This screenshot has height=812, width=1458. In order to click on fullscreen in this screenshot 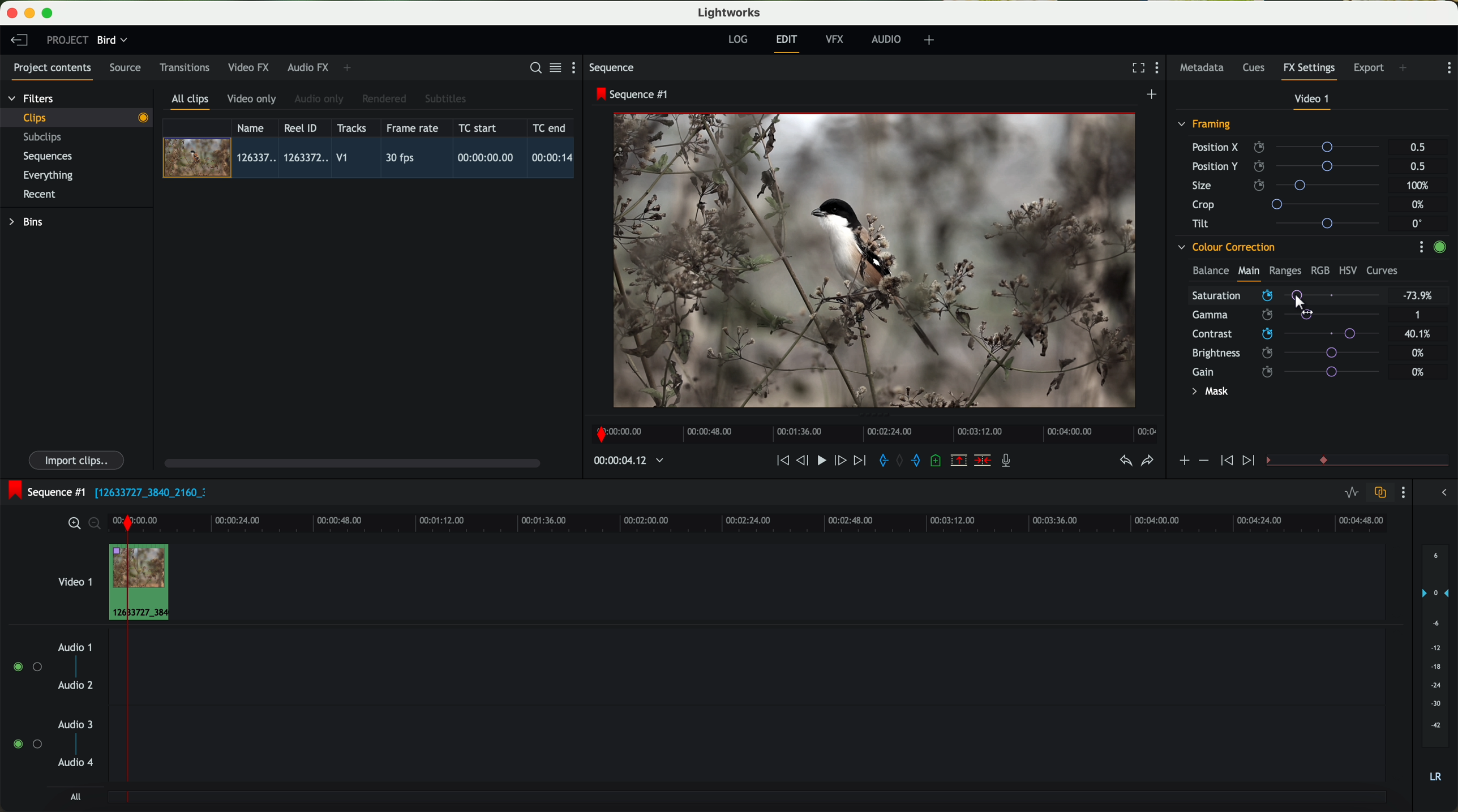, I will do `click(1136, 67)`.